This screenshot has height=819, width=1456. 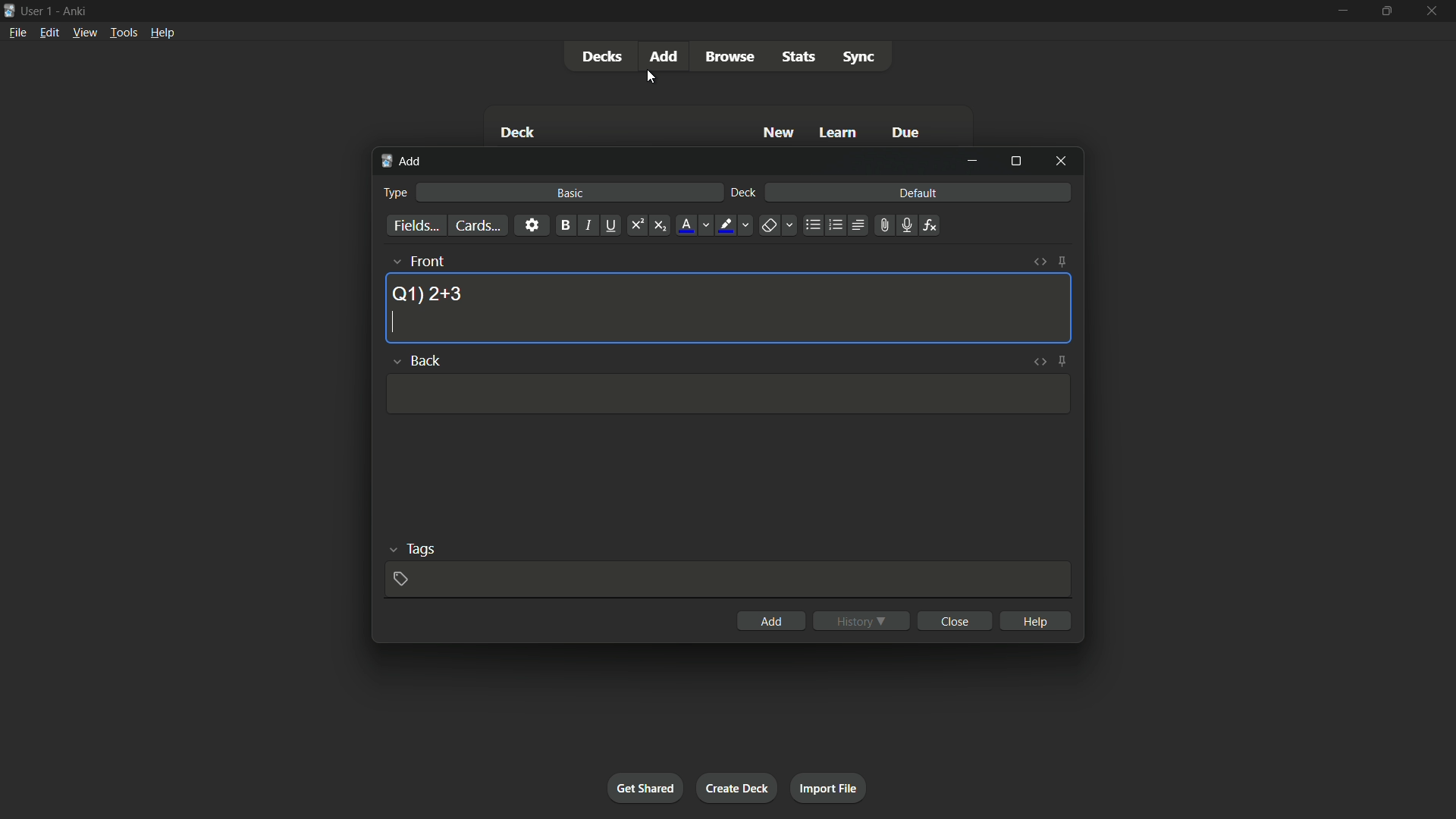 What do you see at coordinates (9, 9) in the screenshot?
I see `app icon` at bounding box center [9, 9].